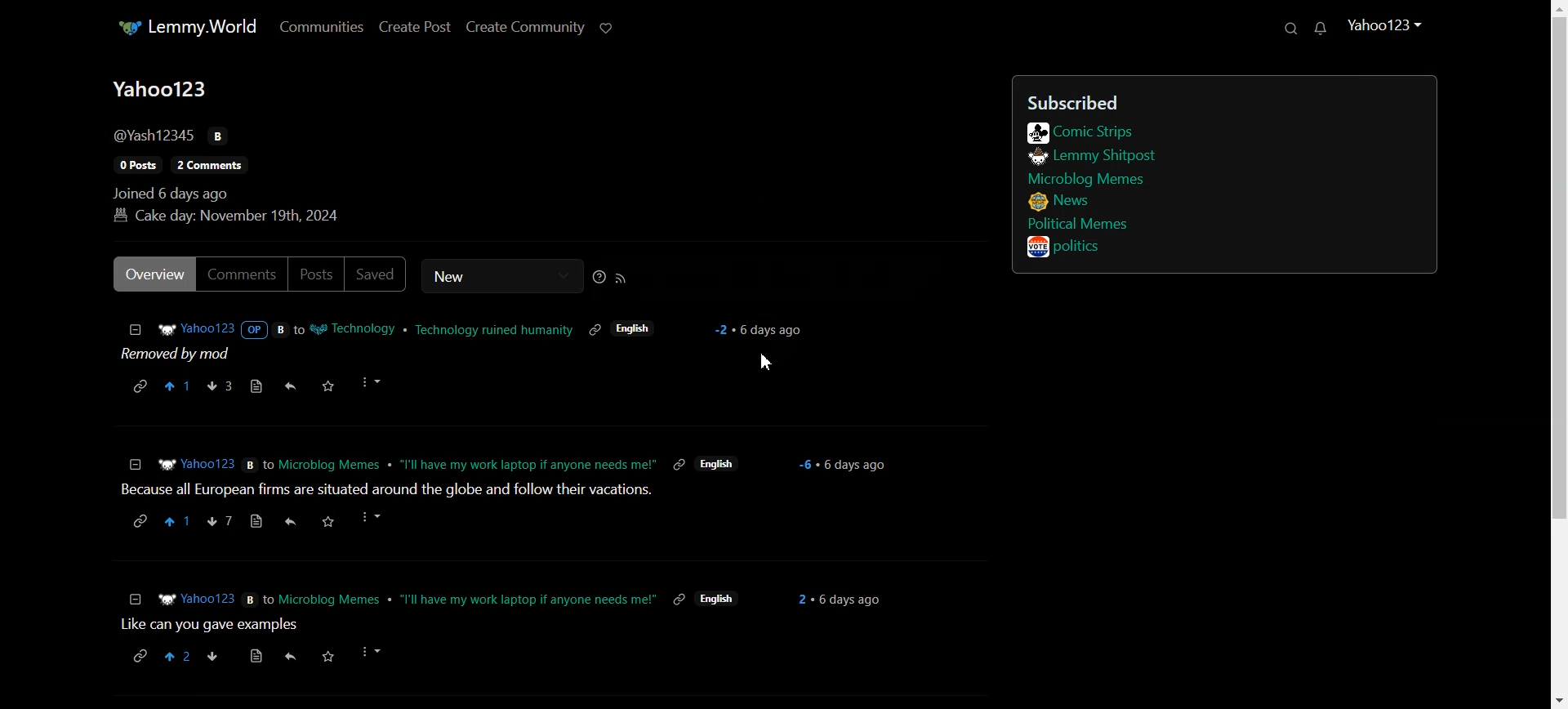 The width and height of the screenshot is (1568, 709). What do you see at coordinates (175, 521) in the screenshot?
I see `` at bounding box center [175, 521].